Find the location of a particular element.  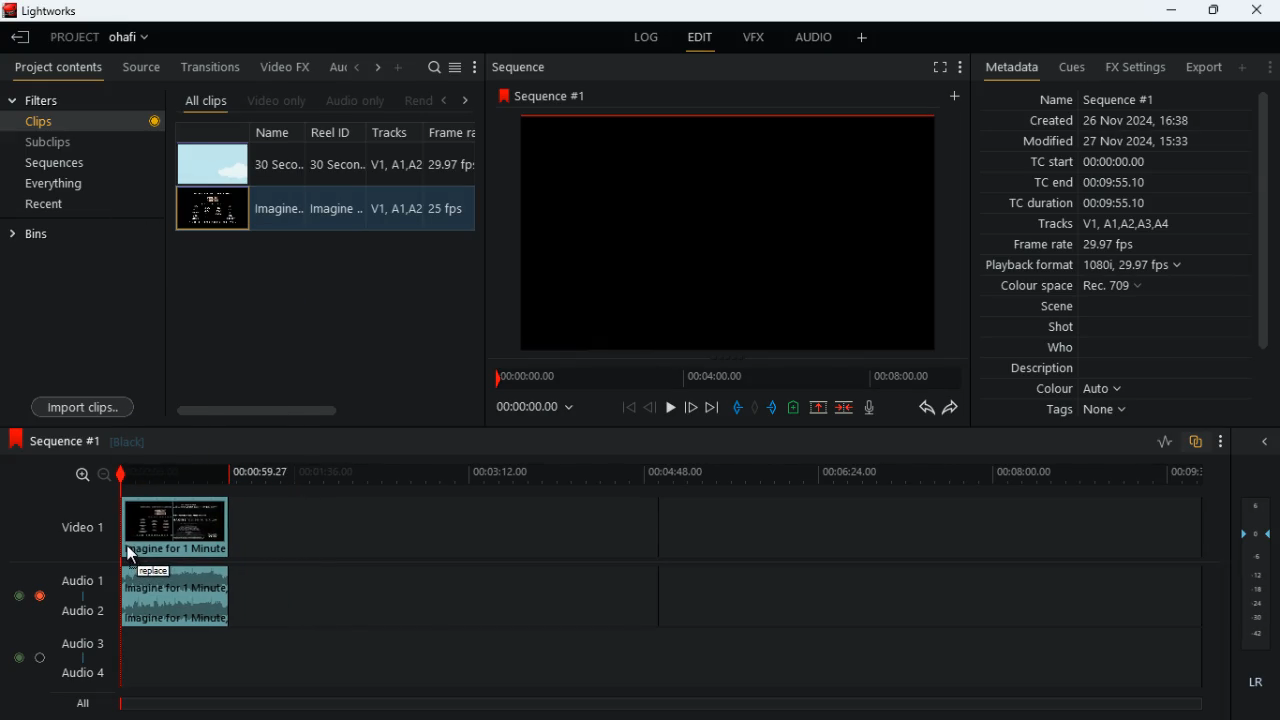

menu is located at coordinates (960, 65).